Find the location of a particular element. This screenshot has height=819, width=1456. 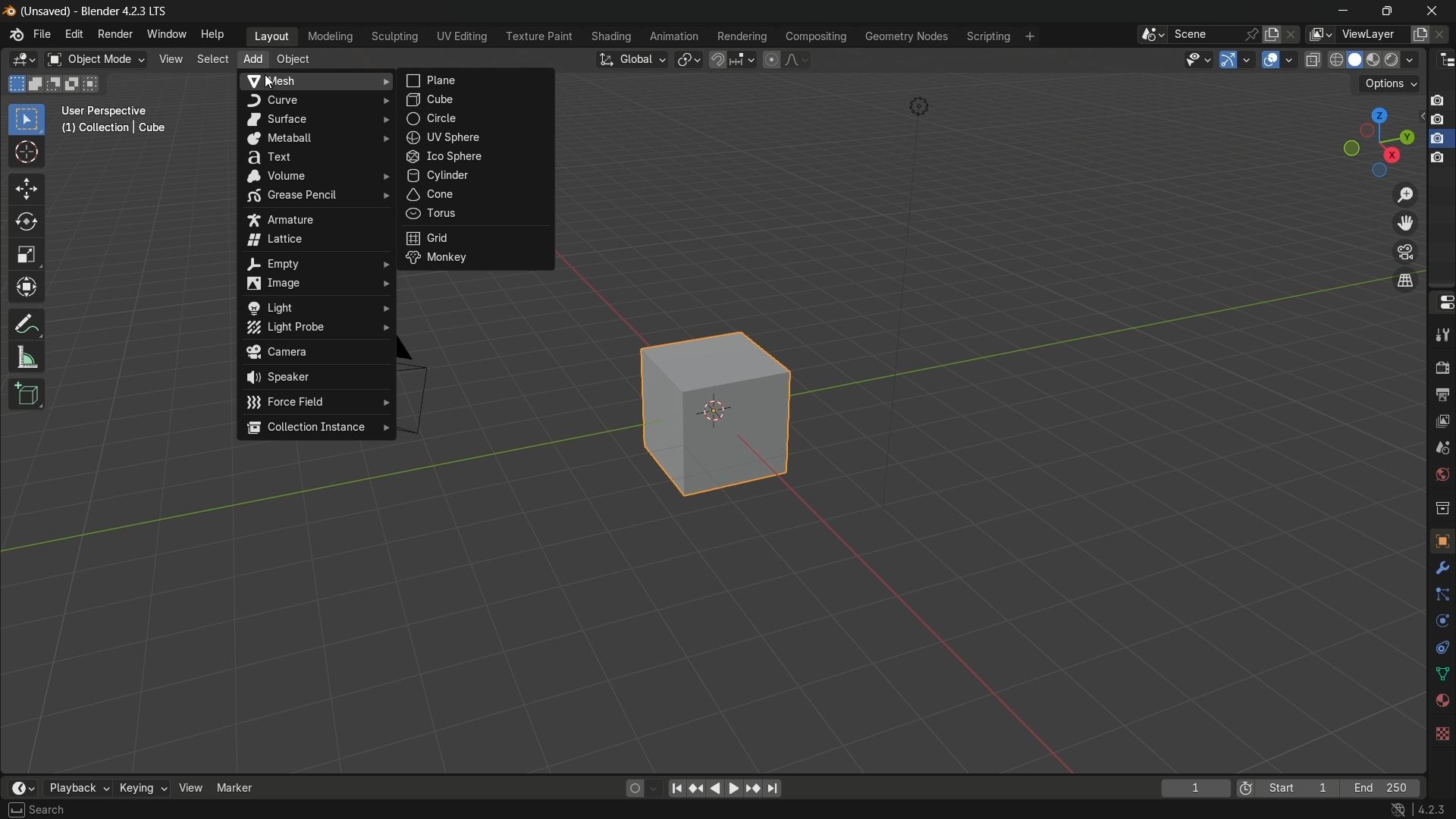

window menu is located at coordinates (165, 33).